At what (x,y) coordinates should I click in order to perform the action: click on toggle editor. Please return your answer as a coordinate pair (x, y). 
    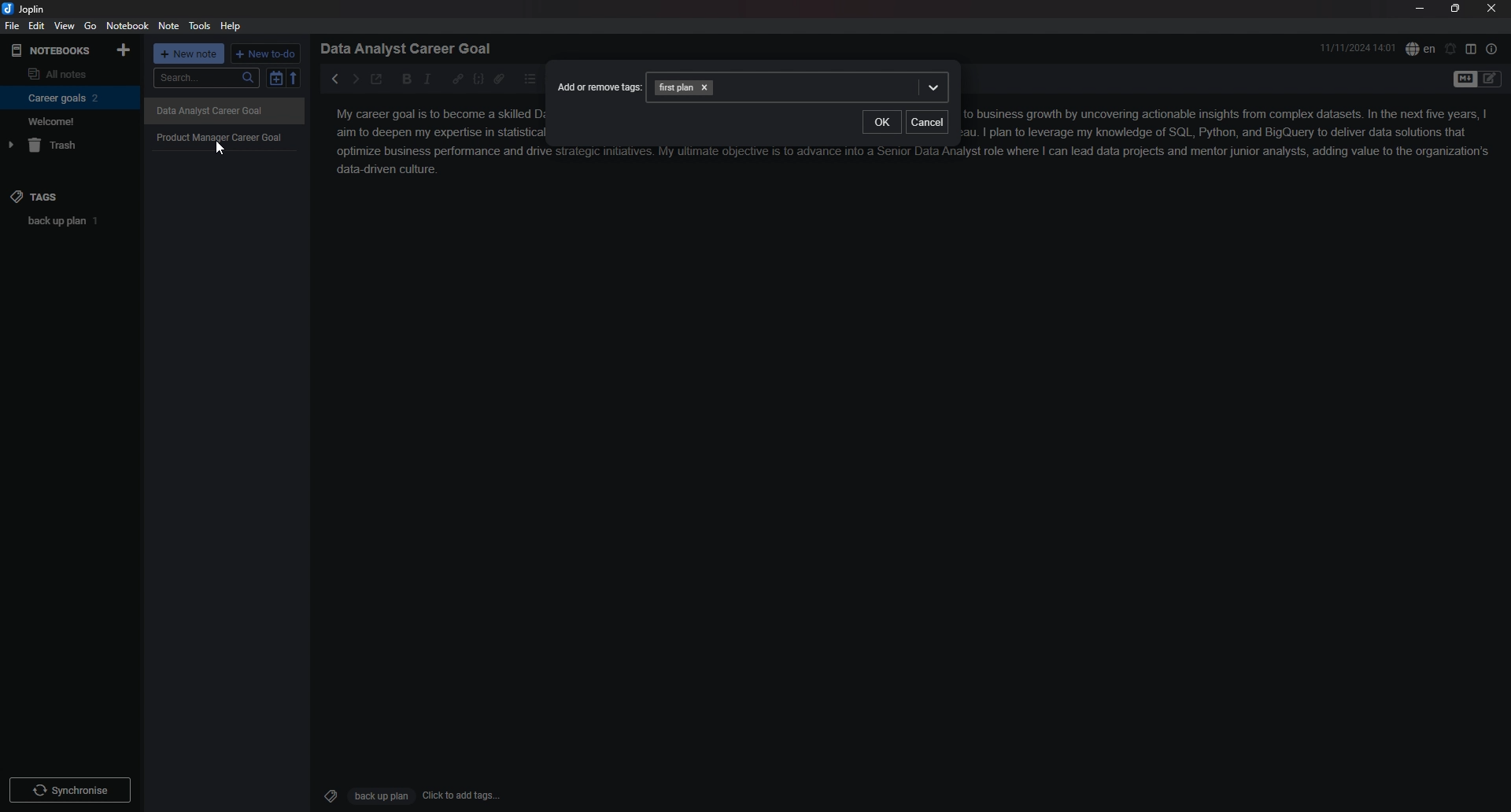
    Looking at the image, I should click on (1464, 80).